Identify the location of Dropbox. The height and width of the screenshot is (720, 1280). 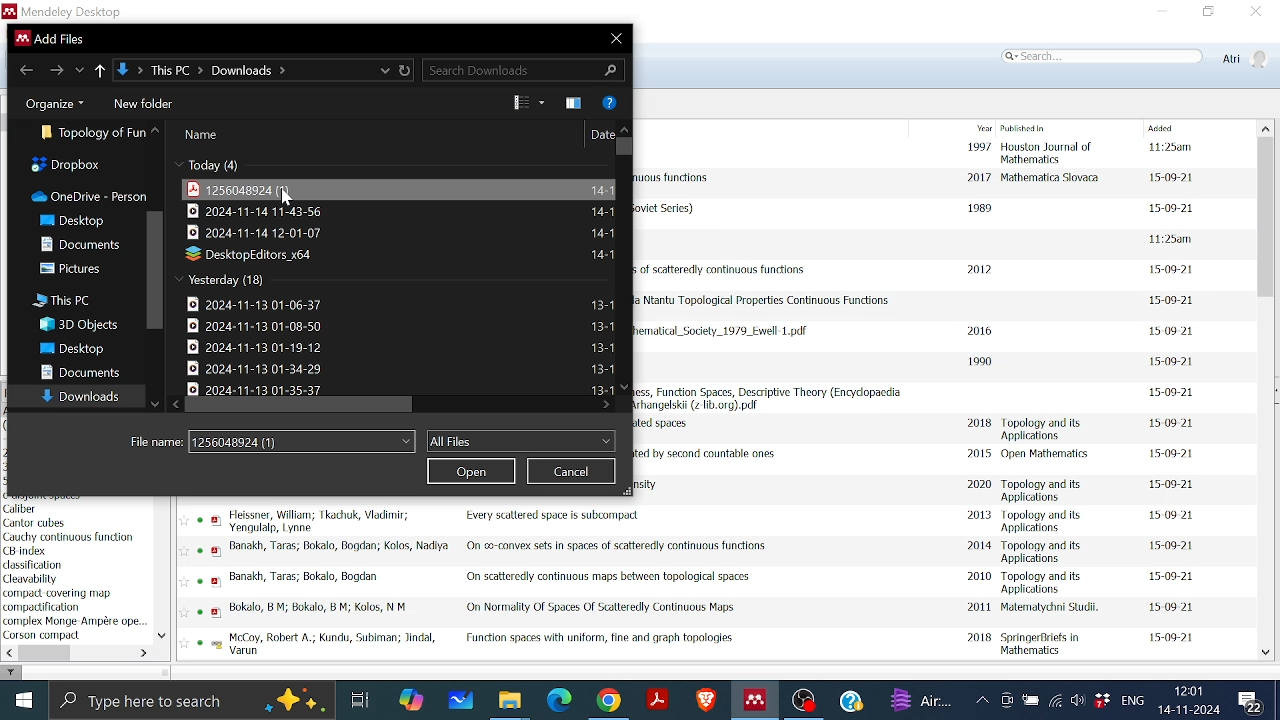
(1101, 699).